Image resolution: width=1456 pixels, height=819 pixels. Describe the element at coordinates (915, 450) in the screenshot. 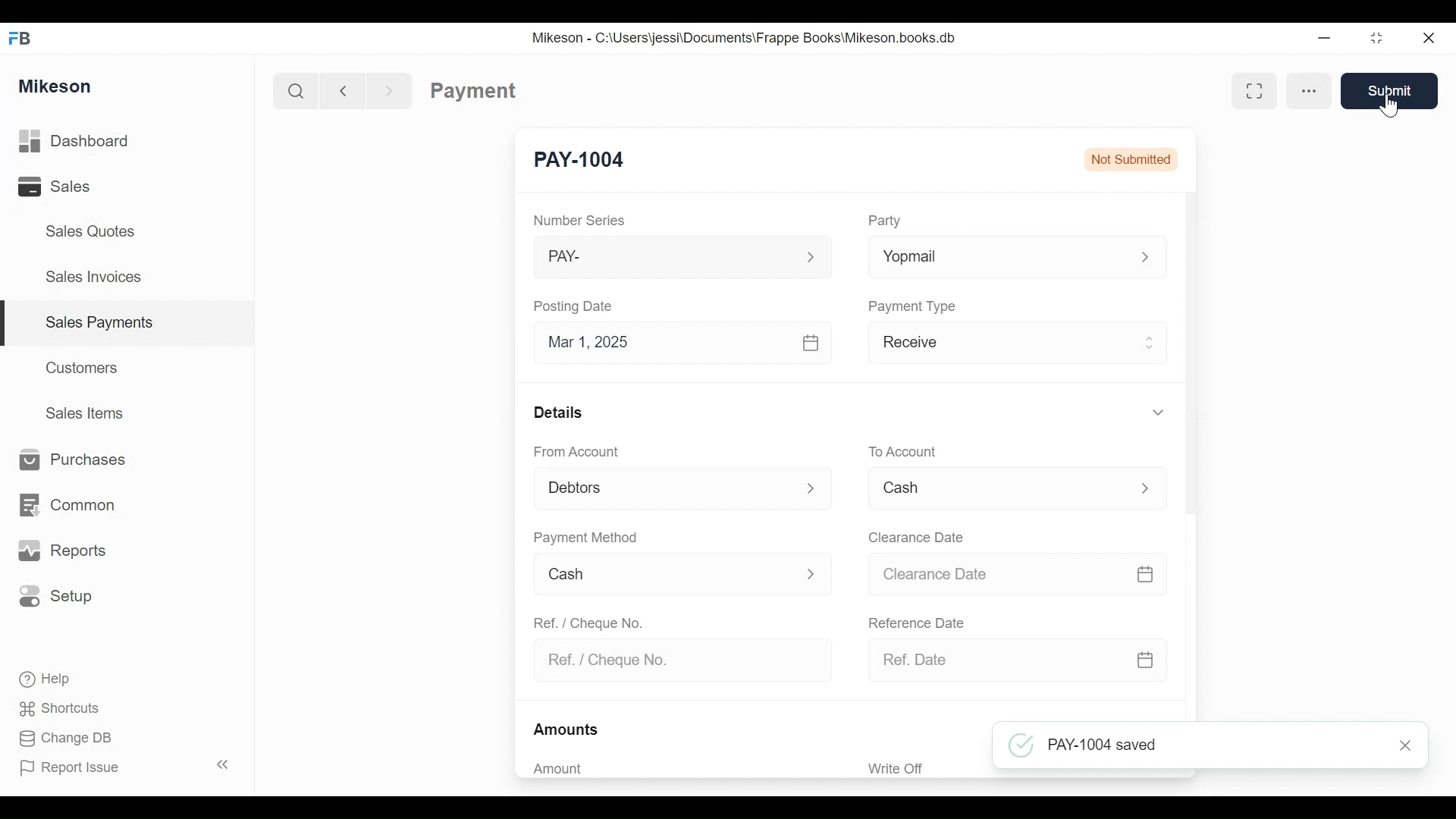

I see `To account` at that location.